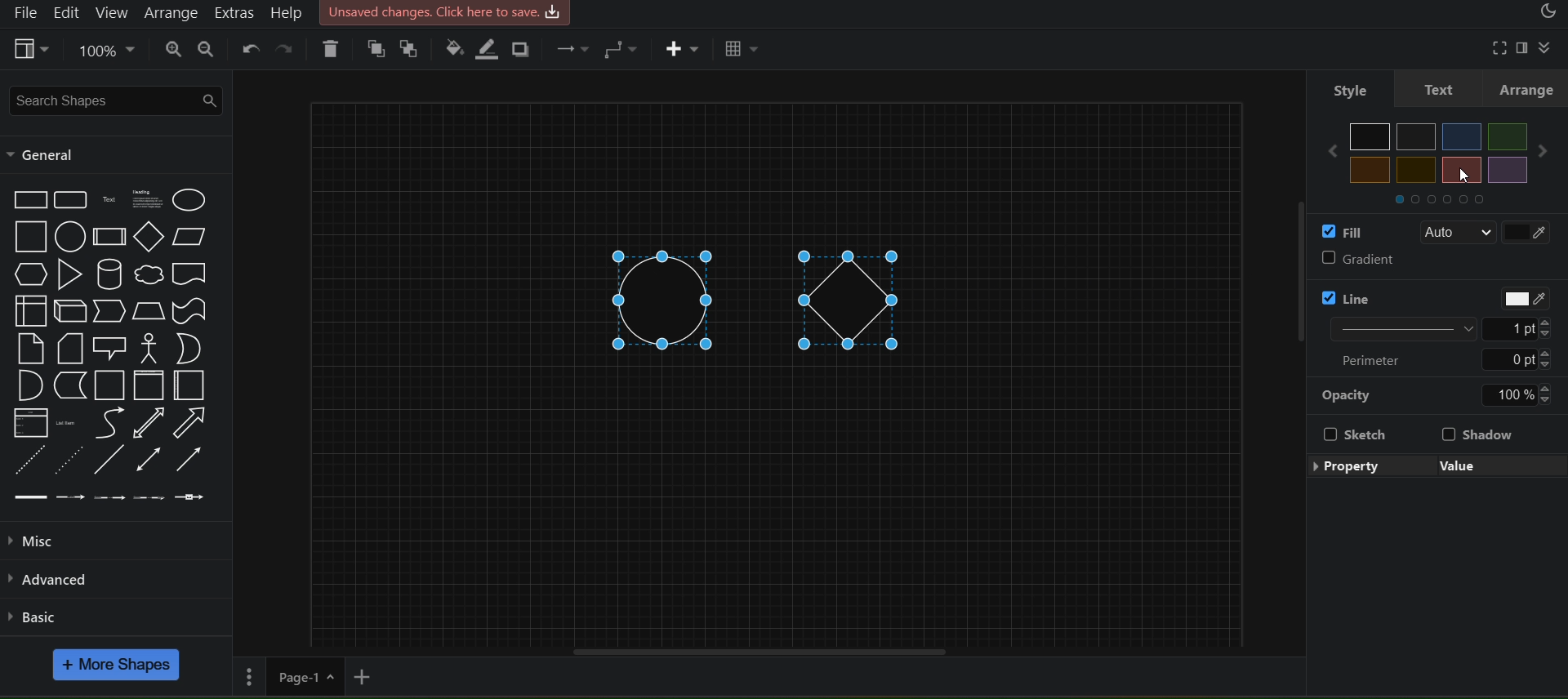 The height and width of the screenshot is (699, 1568). Describe the element at coordinates (1543, 46) in the screenshot. I see `collapase/expand` at that location.